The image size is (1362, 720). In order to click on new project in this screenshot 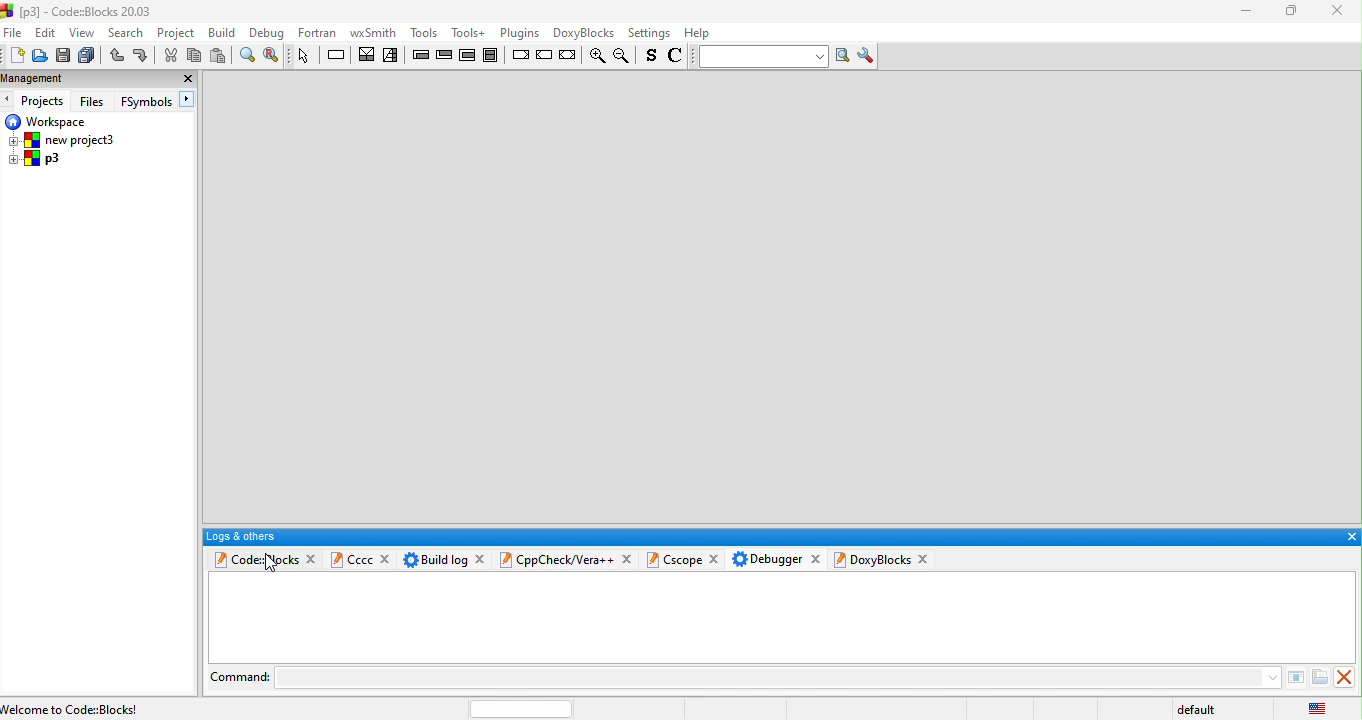, I will do `click(66, 140)`.